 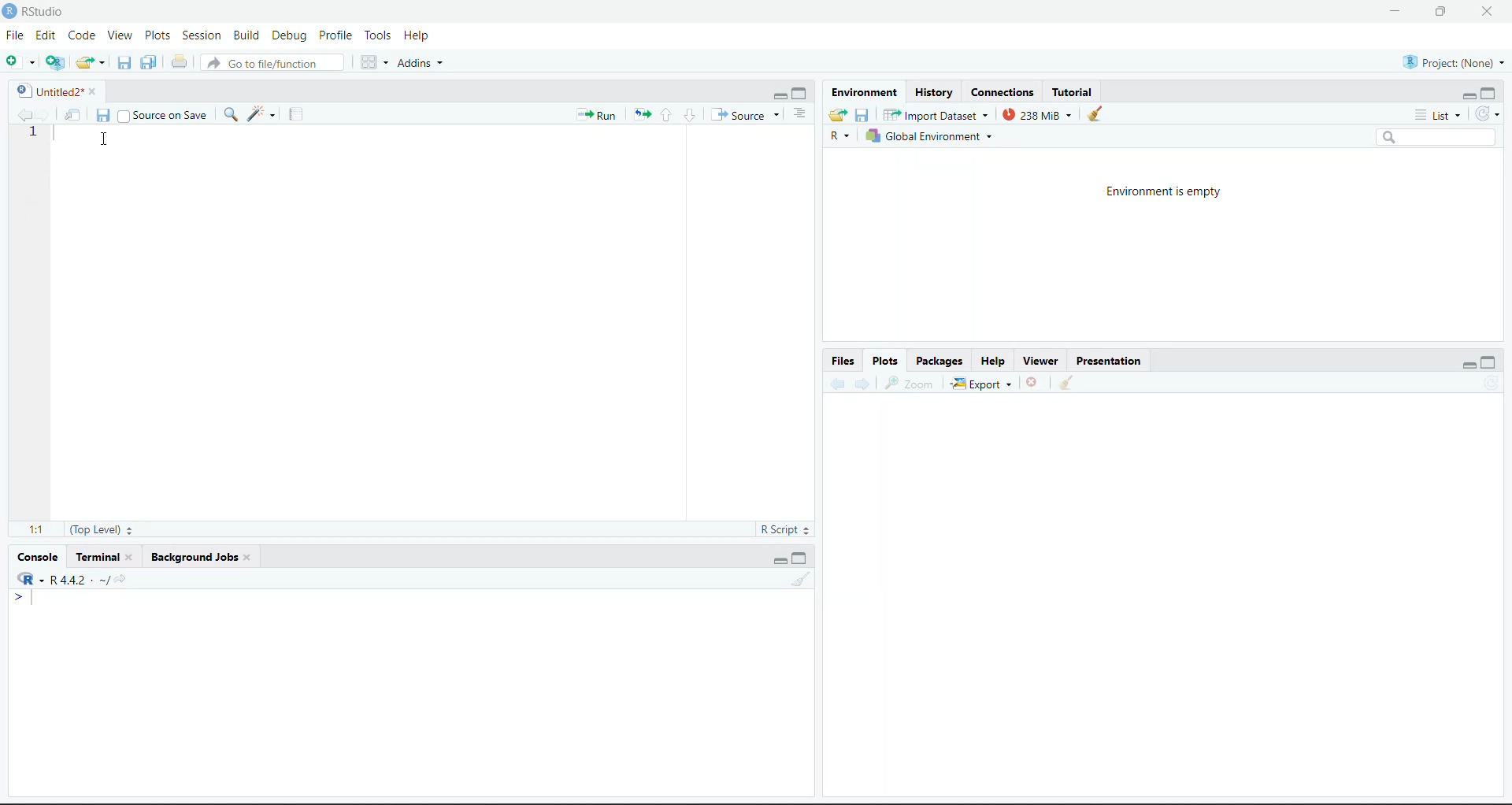 What do you see at coordinates (38, 558) in the screenshot?
I see `Console` at bounding box center [38, 558].